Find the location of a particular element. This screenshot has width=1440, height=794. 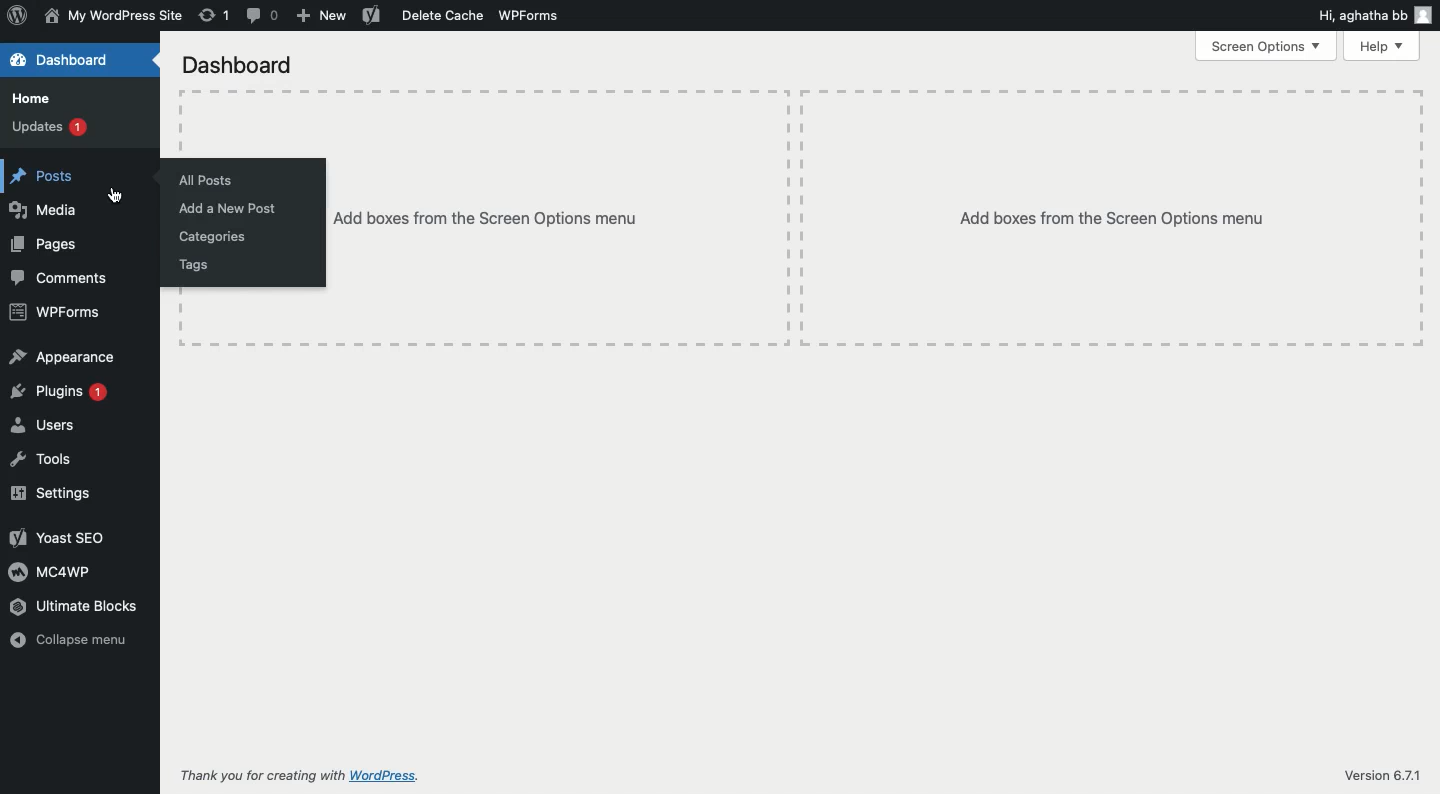

All posts is located at coordinates (209, 181).